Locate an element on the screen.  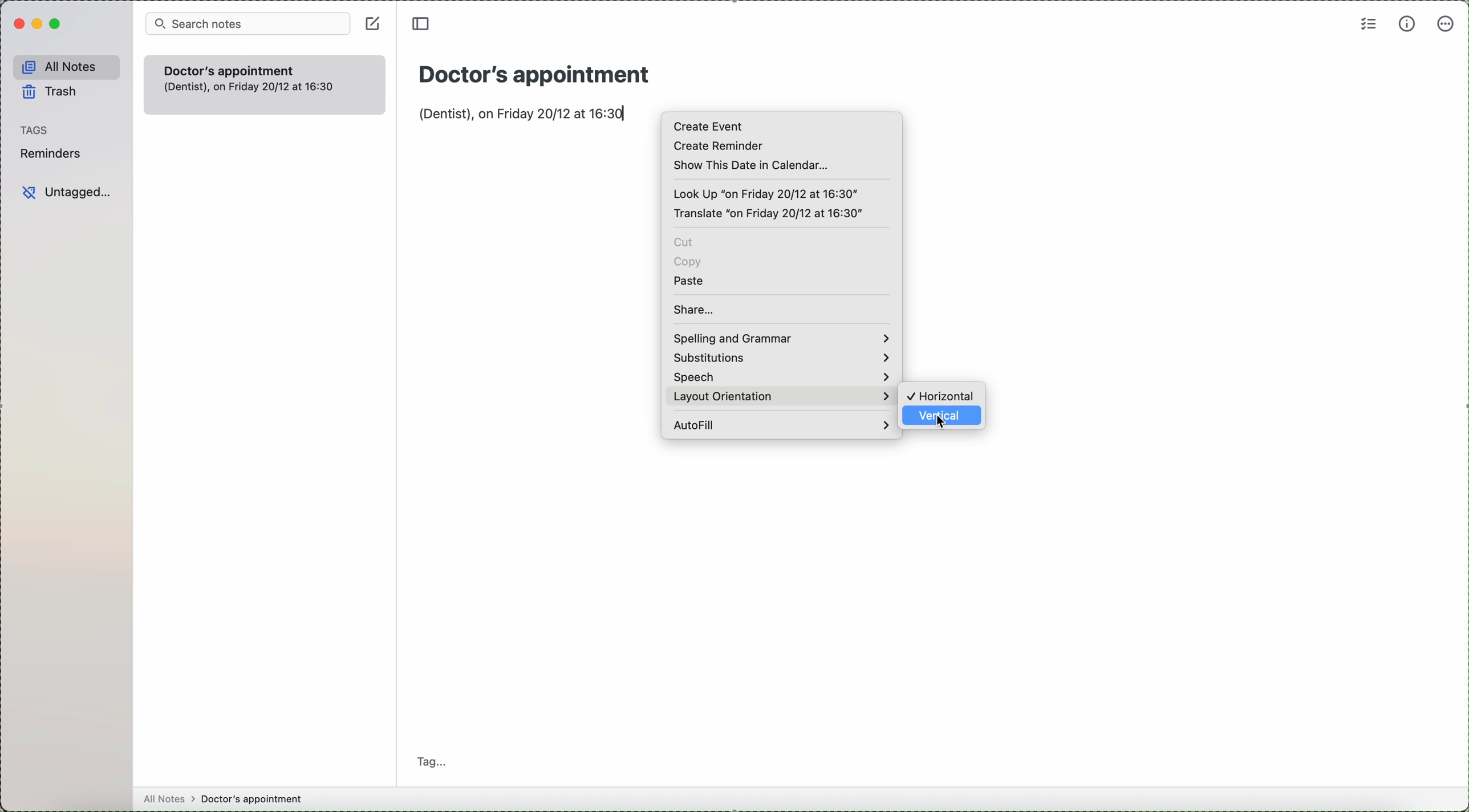
all notes is located at coordinates (66, 65).